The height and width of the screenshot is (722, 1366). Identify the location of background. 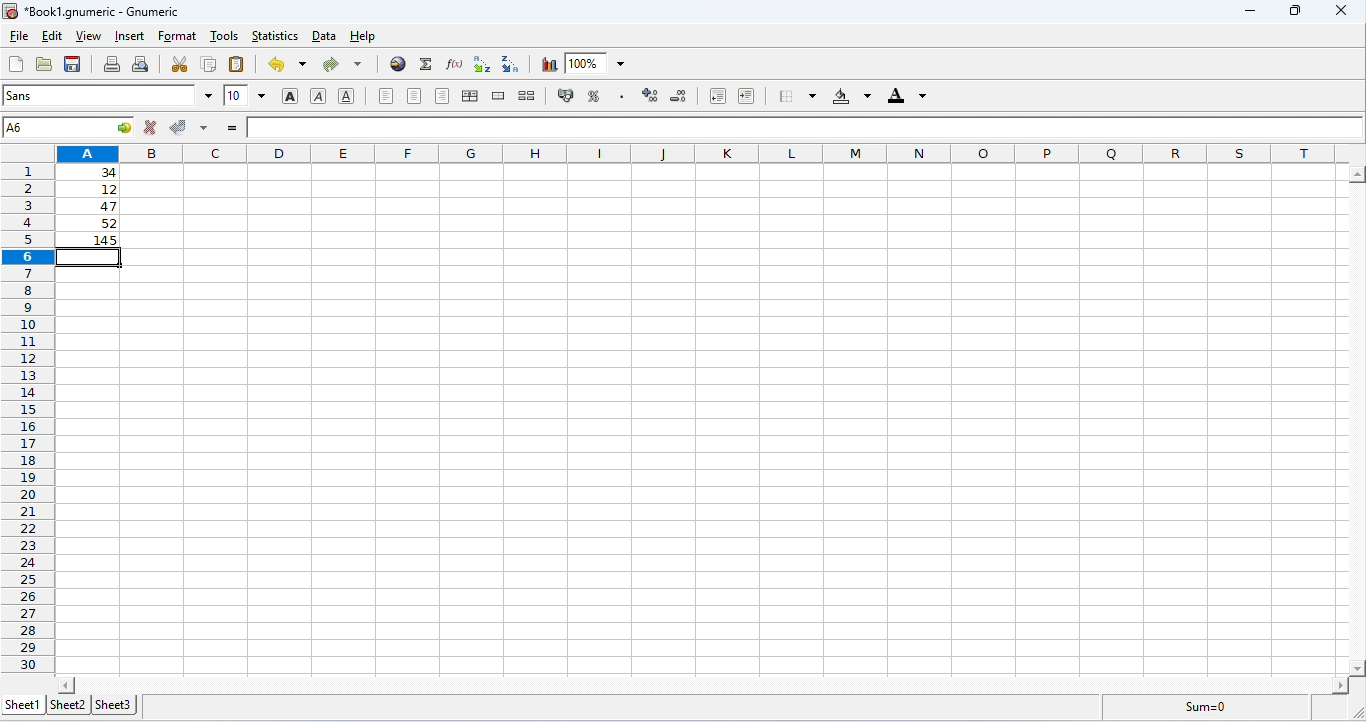
(852, 96).